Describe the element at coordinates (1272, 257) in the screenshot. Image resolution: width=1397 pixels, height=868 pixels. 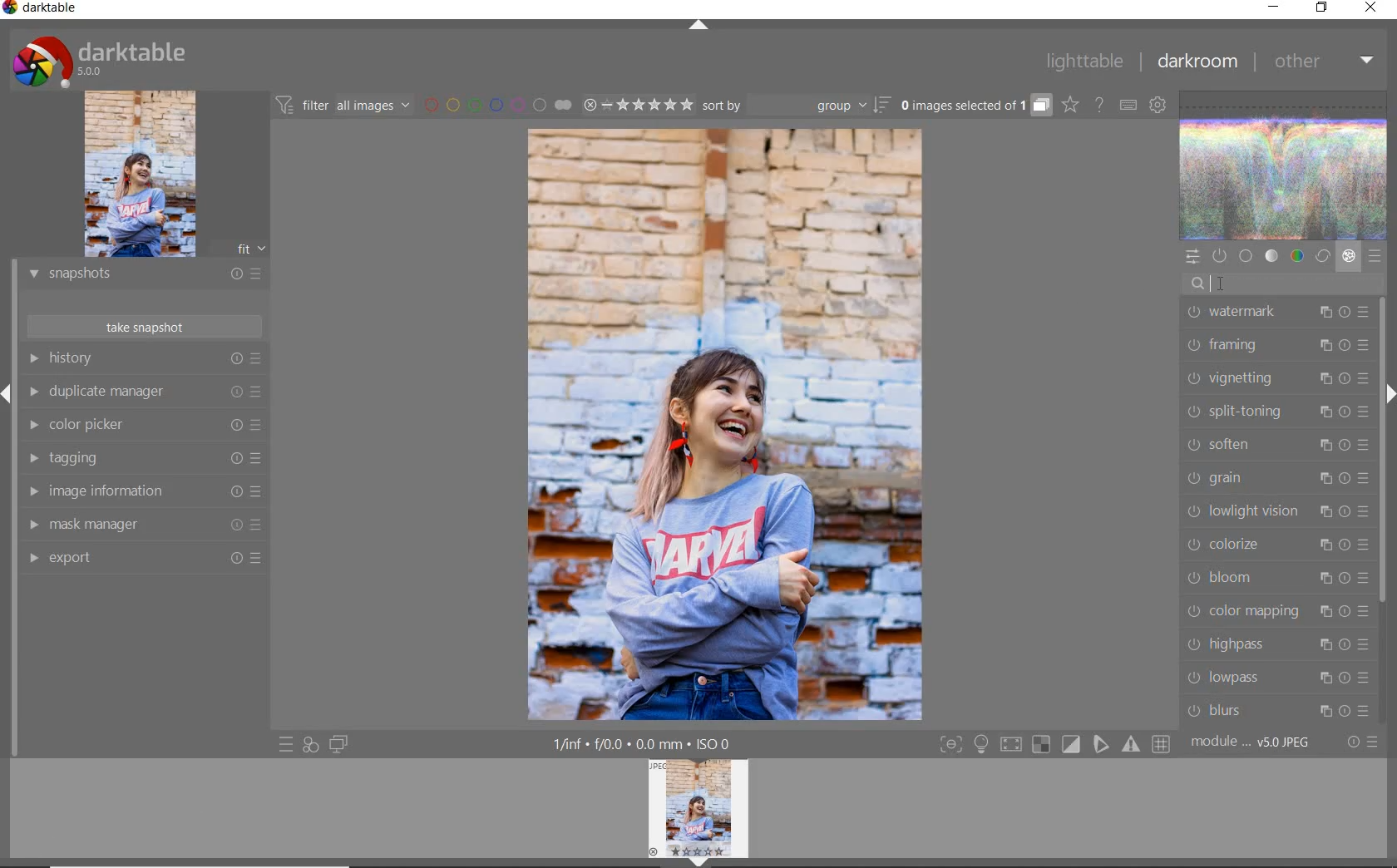
I see `tone` at that location.